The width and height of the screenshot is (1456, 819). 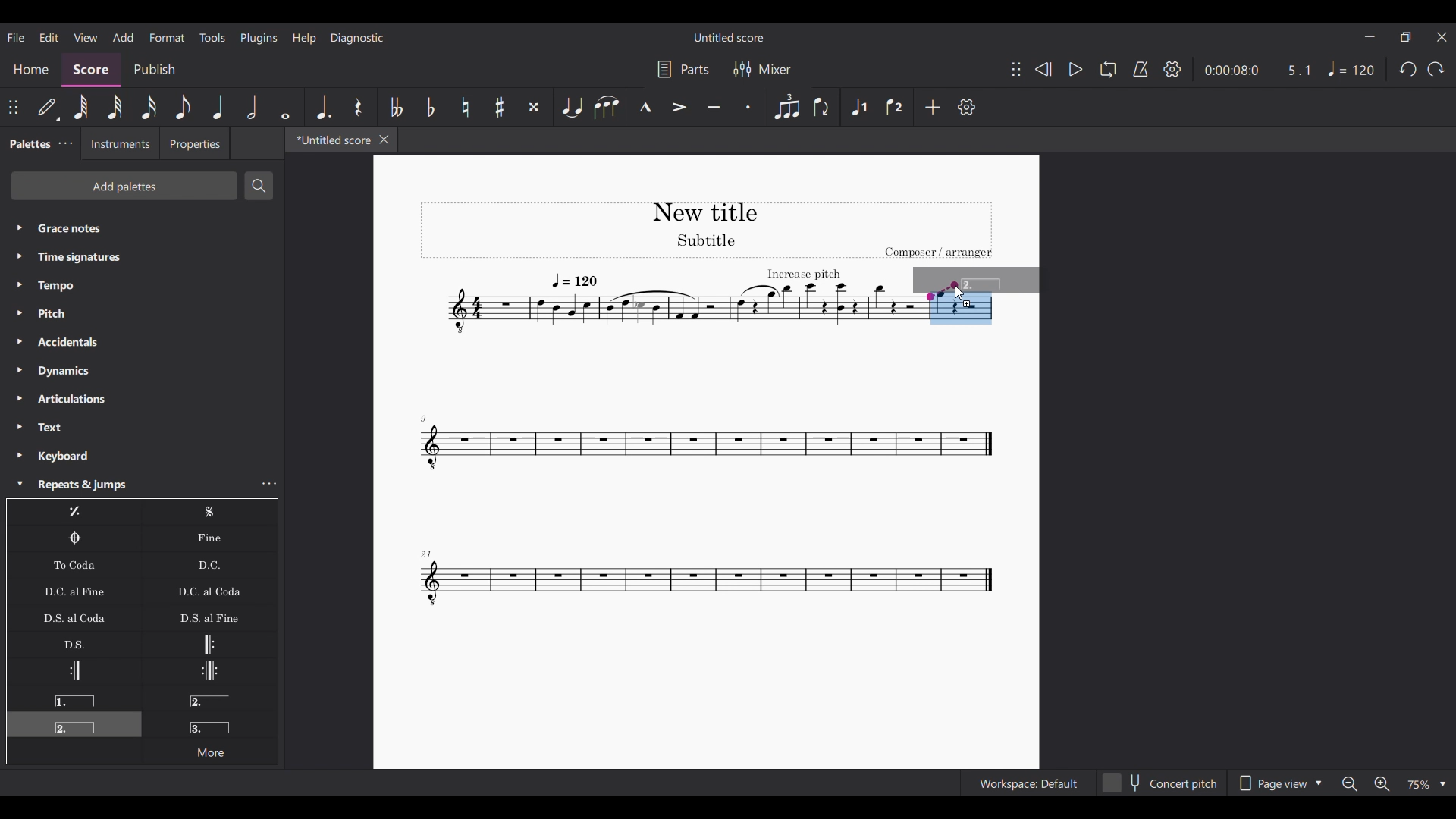 I want to click on Concert pitch toggle, so click(x=1161, y=783).